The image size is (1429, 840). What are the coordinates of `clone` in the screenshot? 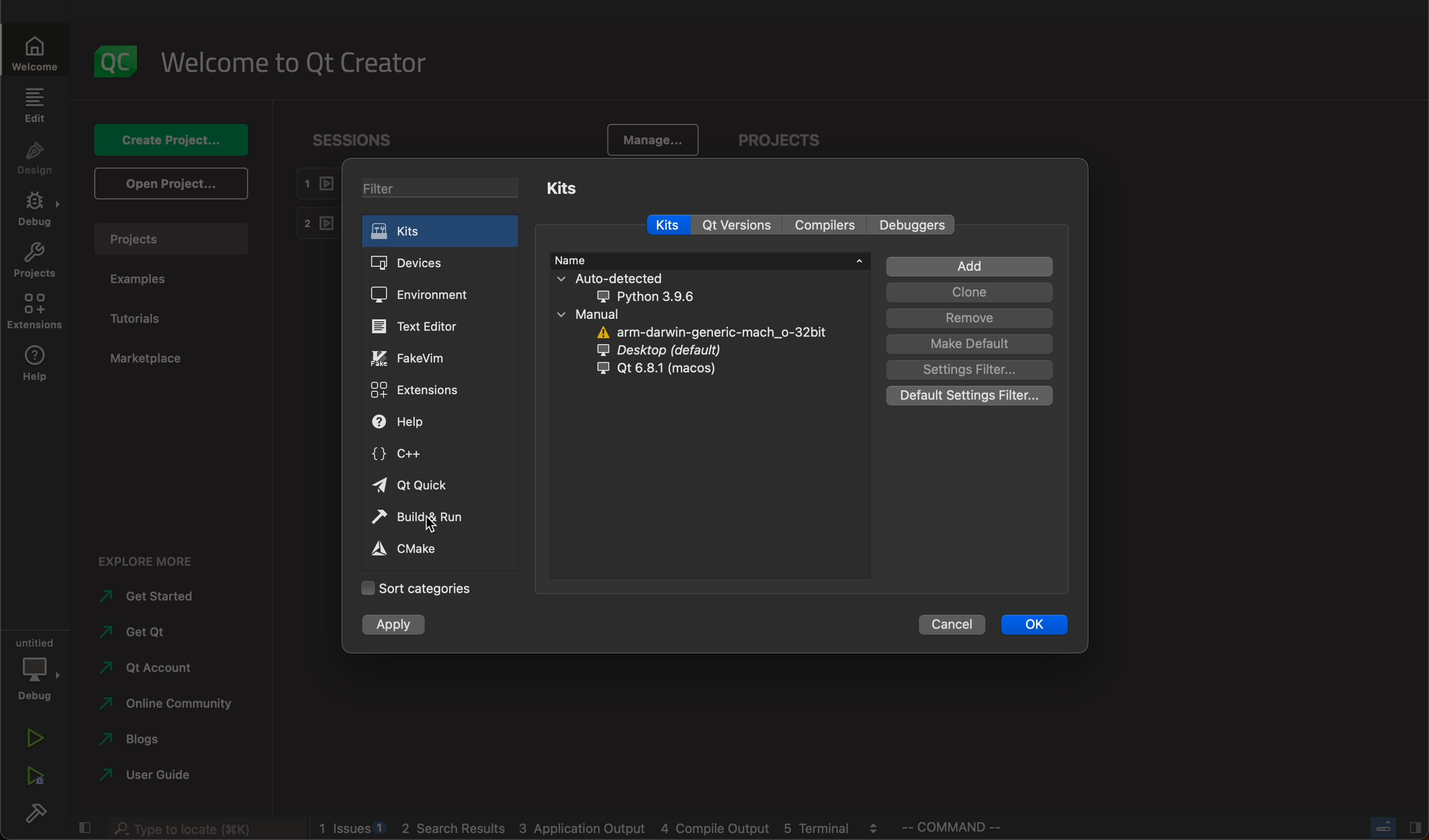 It's located at (969, 292).